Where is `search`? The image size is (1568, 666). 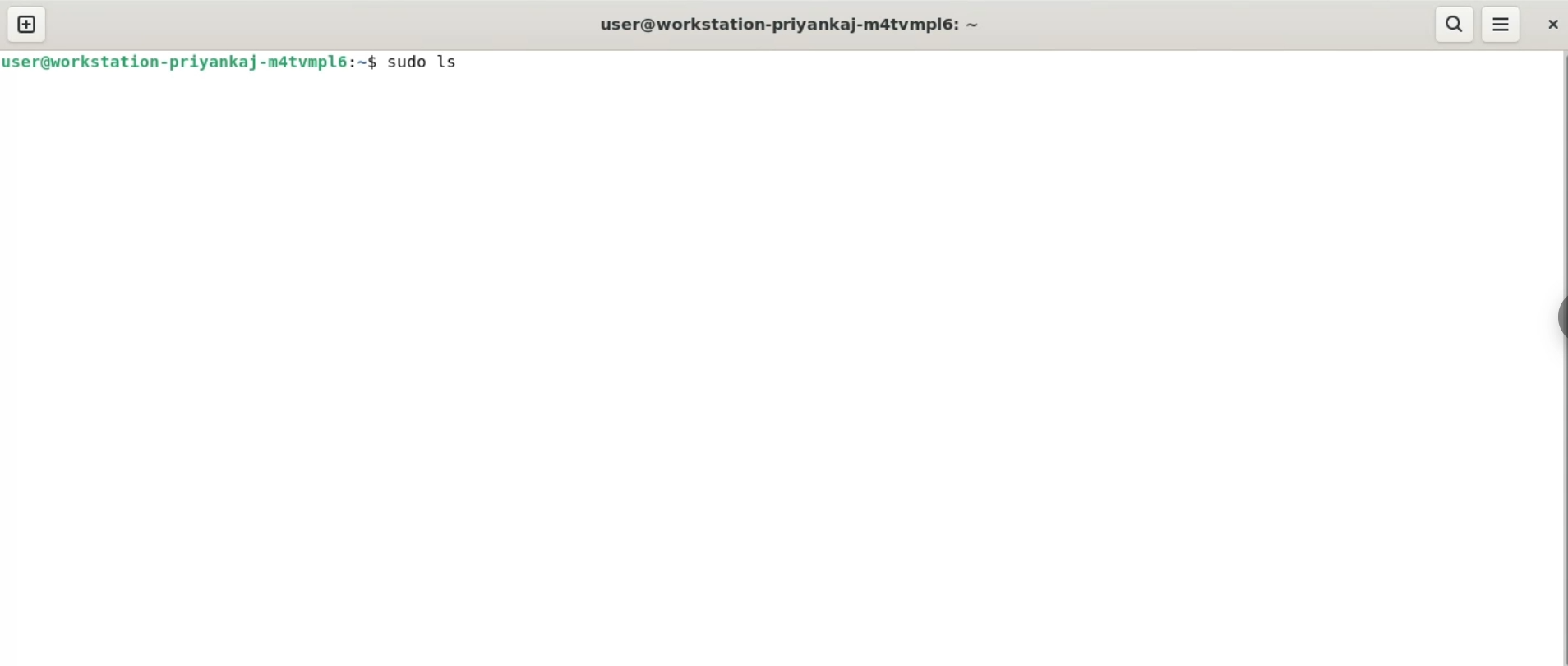
search is located at coordinates (1453, 24).